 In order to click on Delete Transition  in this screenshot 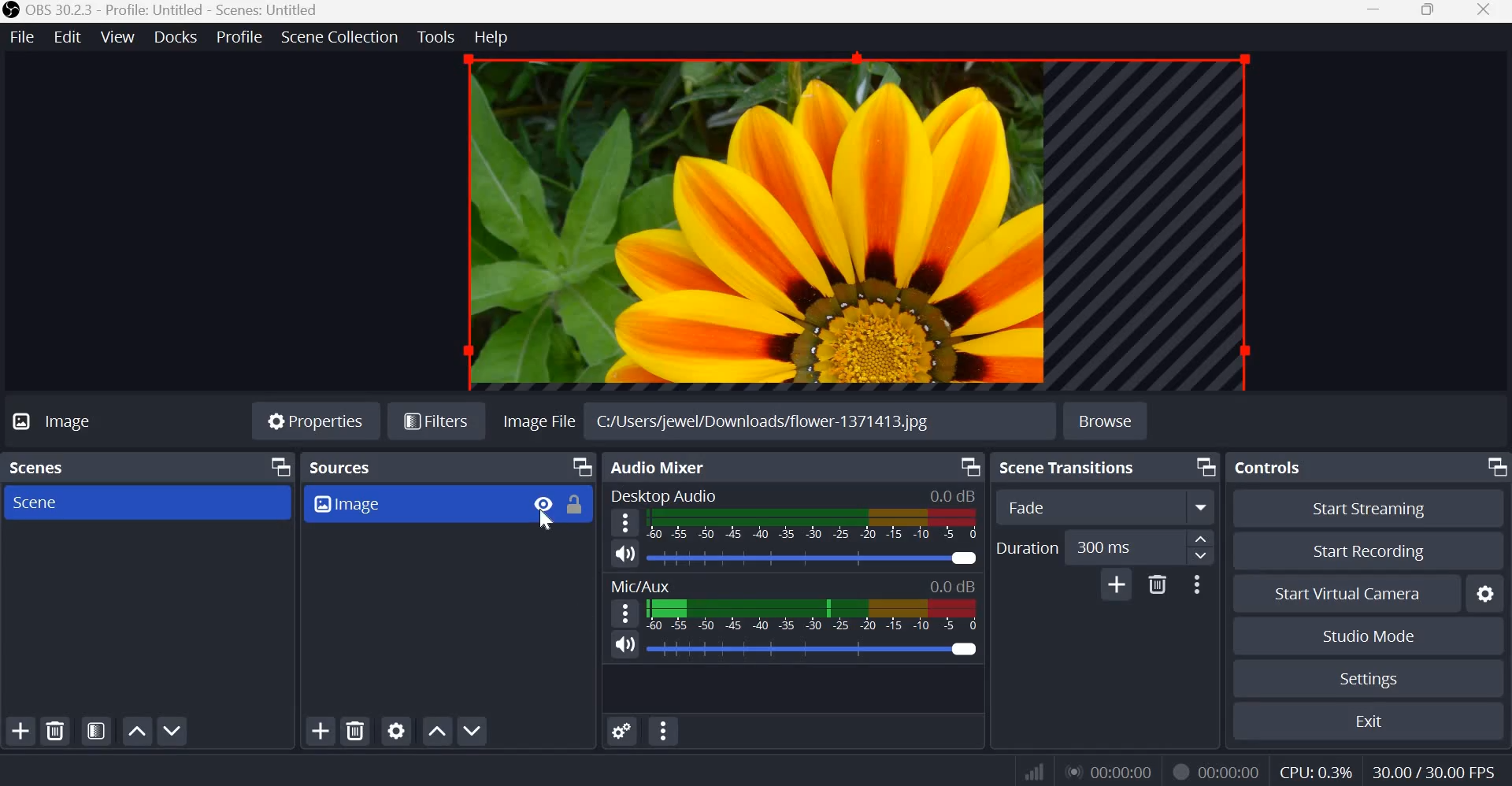, I will do `click(1158, 584)`.